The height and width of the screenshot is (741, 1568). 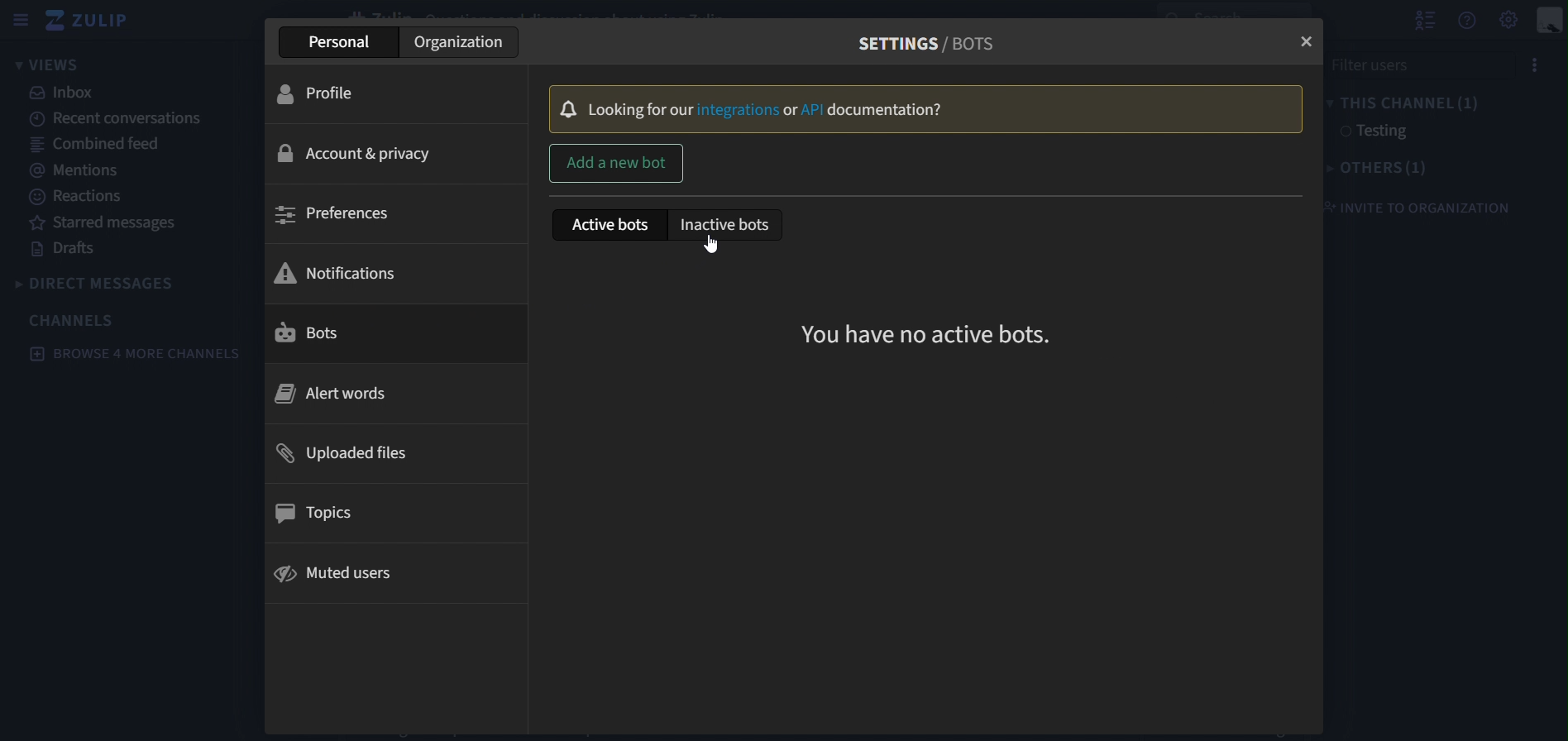 What do you see at coordinates (1530, 66) in the screenshot?
I see `options` at bounding box center [1530, 66].